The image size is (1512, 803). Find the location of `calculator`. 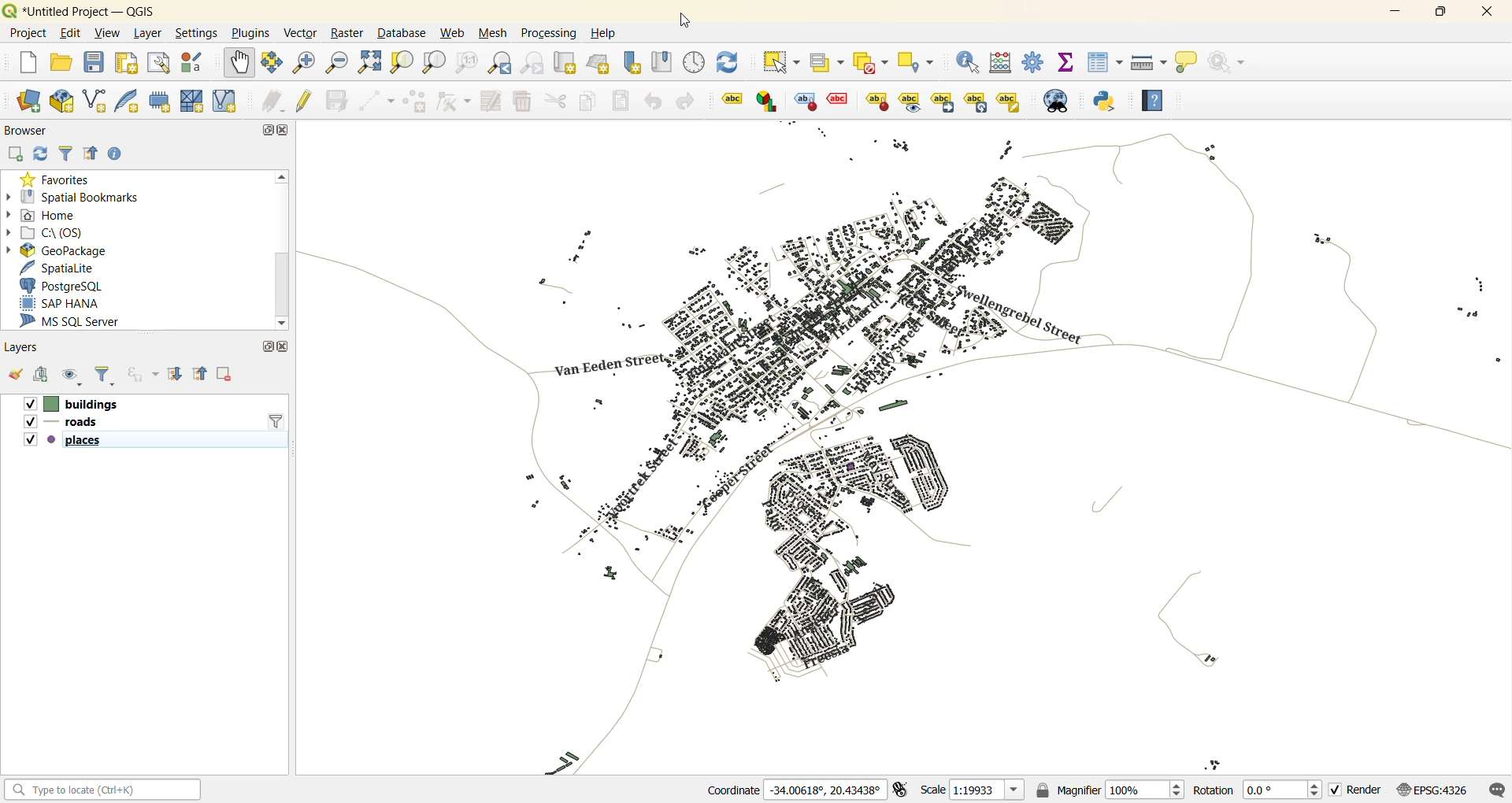

calculator is located at coordinates (1002, 64).